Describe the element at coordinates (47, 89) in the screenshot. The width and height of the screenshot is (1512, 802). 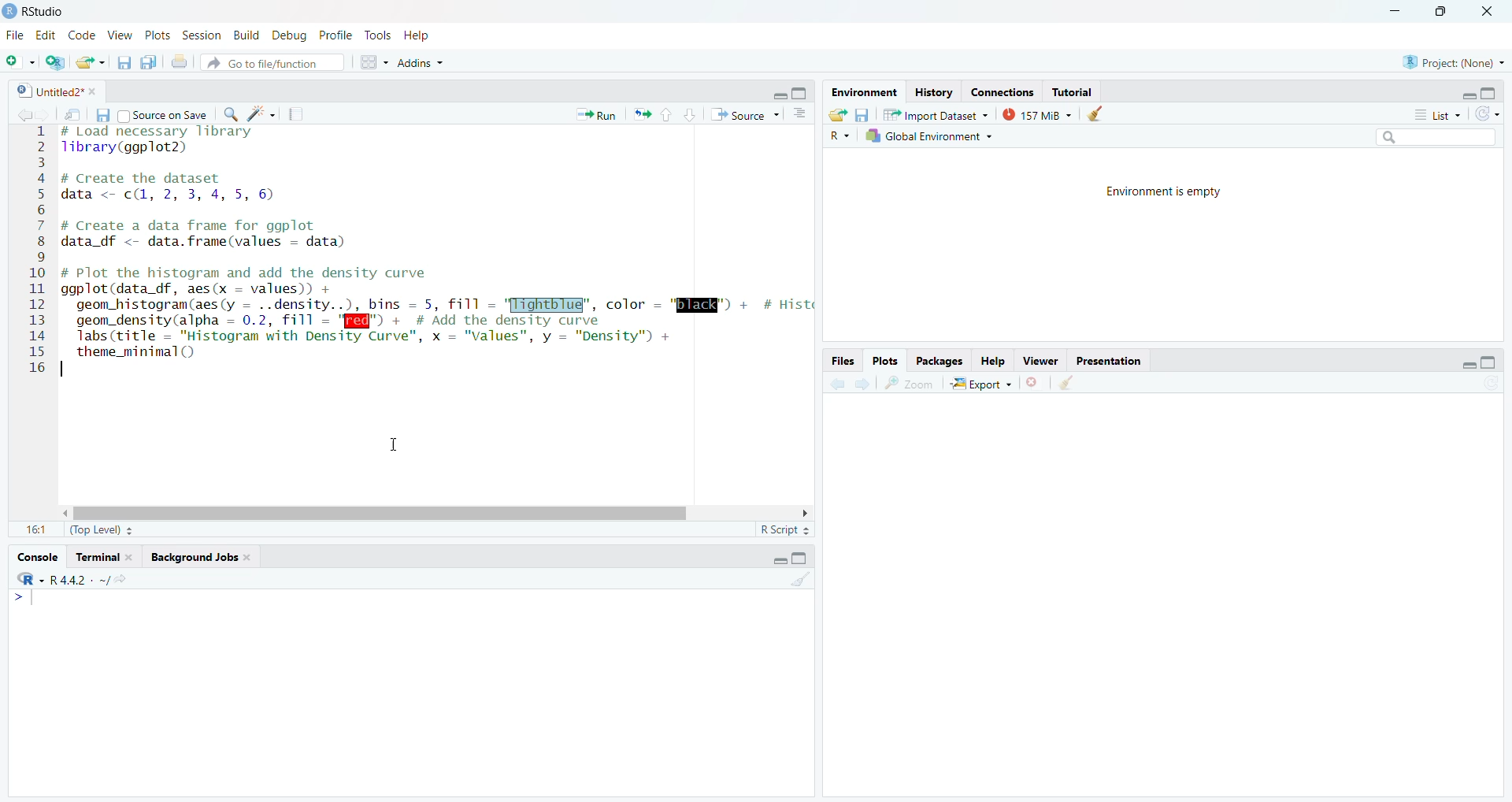
I see `Untitled2*` at that location.